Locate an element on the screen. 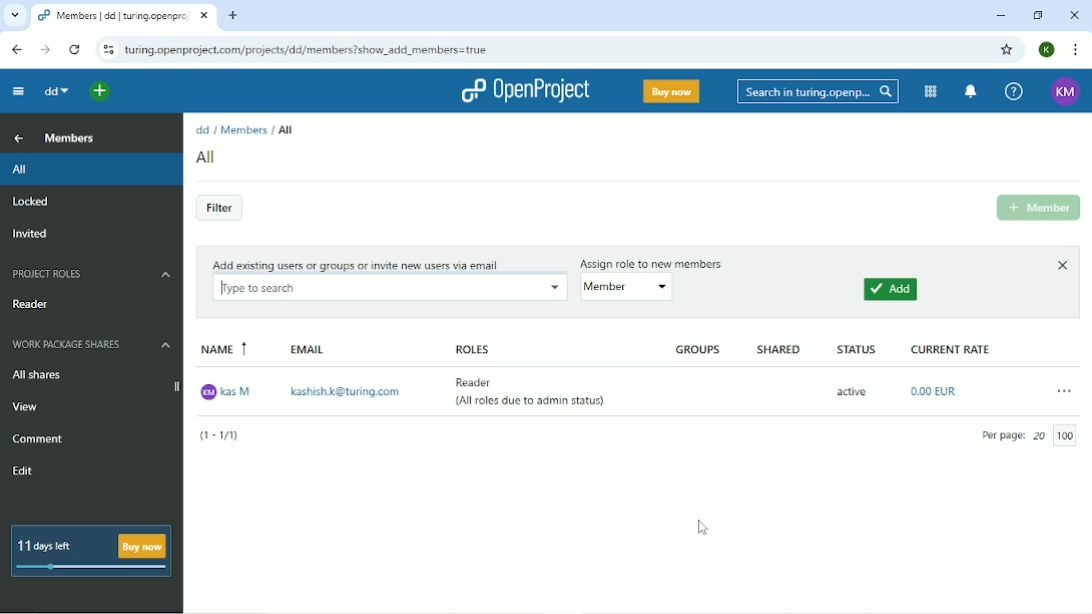  Comment is located at coordinates (38, 439).